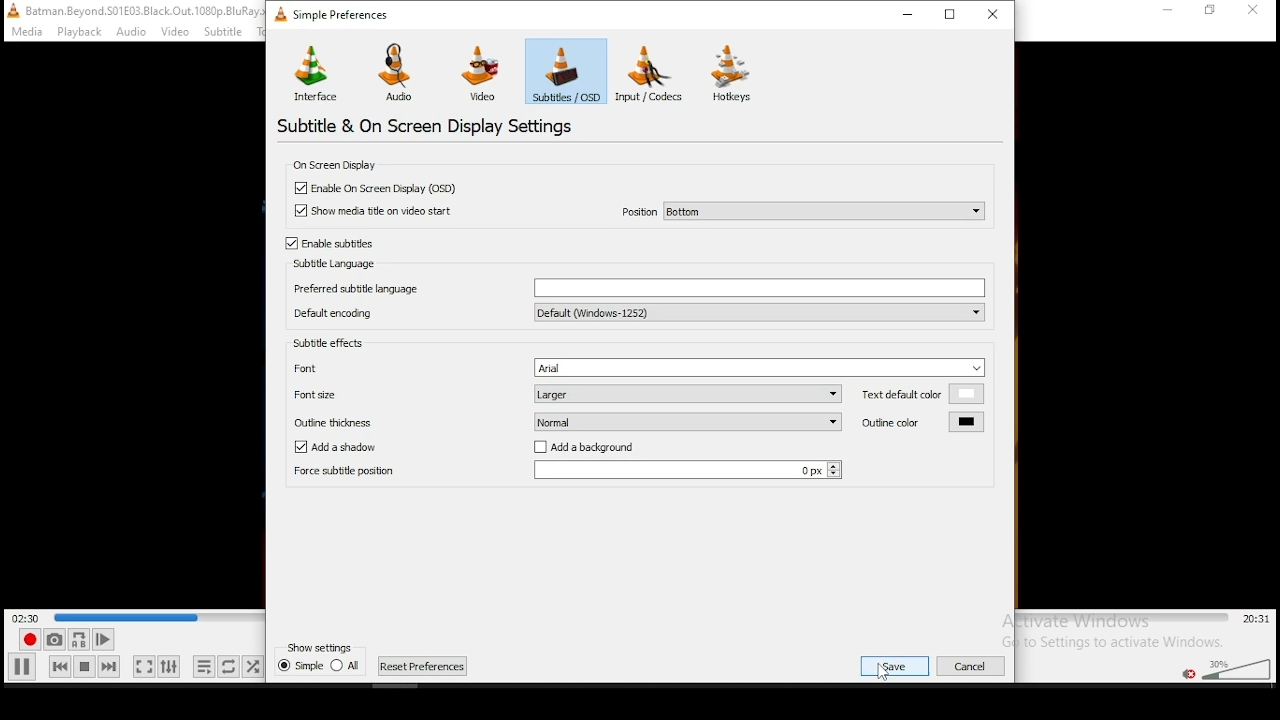  What do you see at coordinates (345, 664) in the screenshot?
I see `all` at bounding box center [345, 664].